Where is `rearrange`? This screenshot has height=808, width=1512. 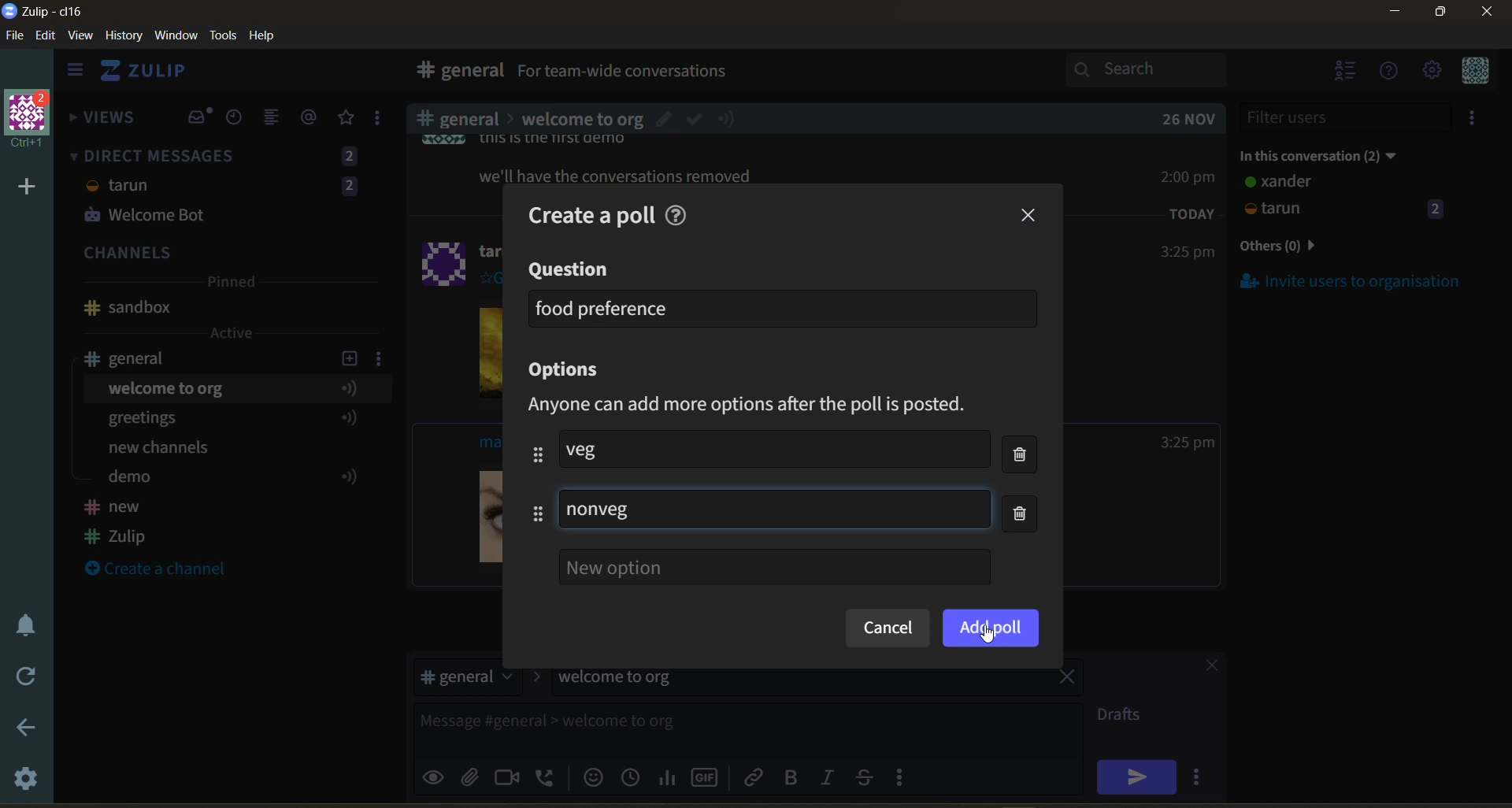
rearrange is located at coordinates (532, 484).